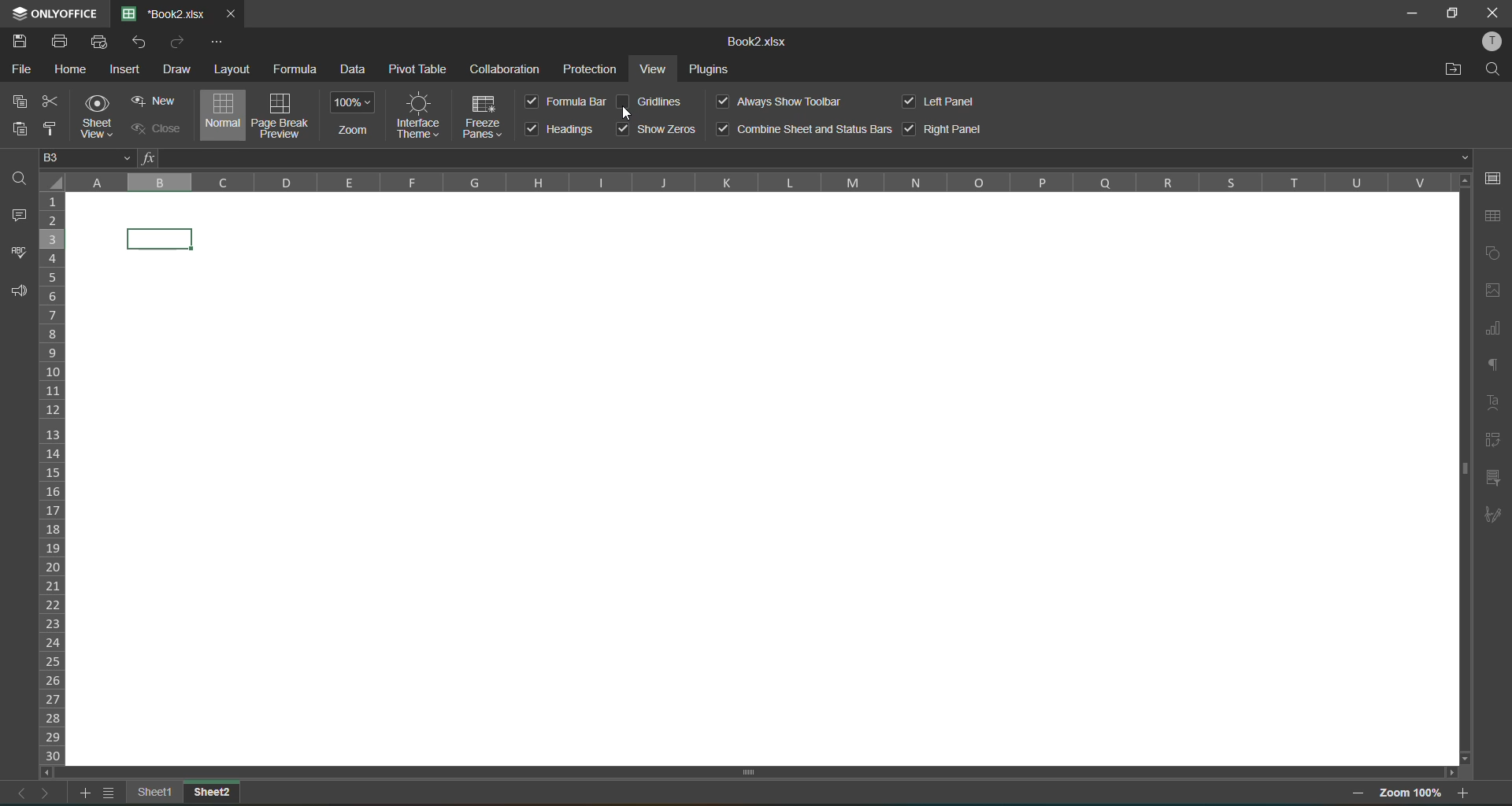 The image size is (1512, 806). Describe the element at coordinates (417, 114) in the screenshot. I see `interface theme` at that location.